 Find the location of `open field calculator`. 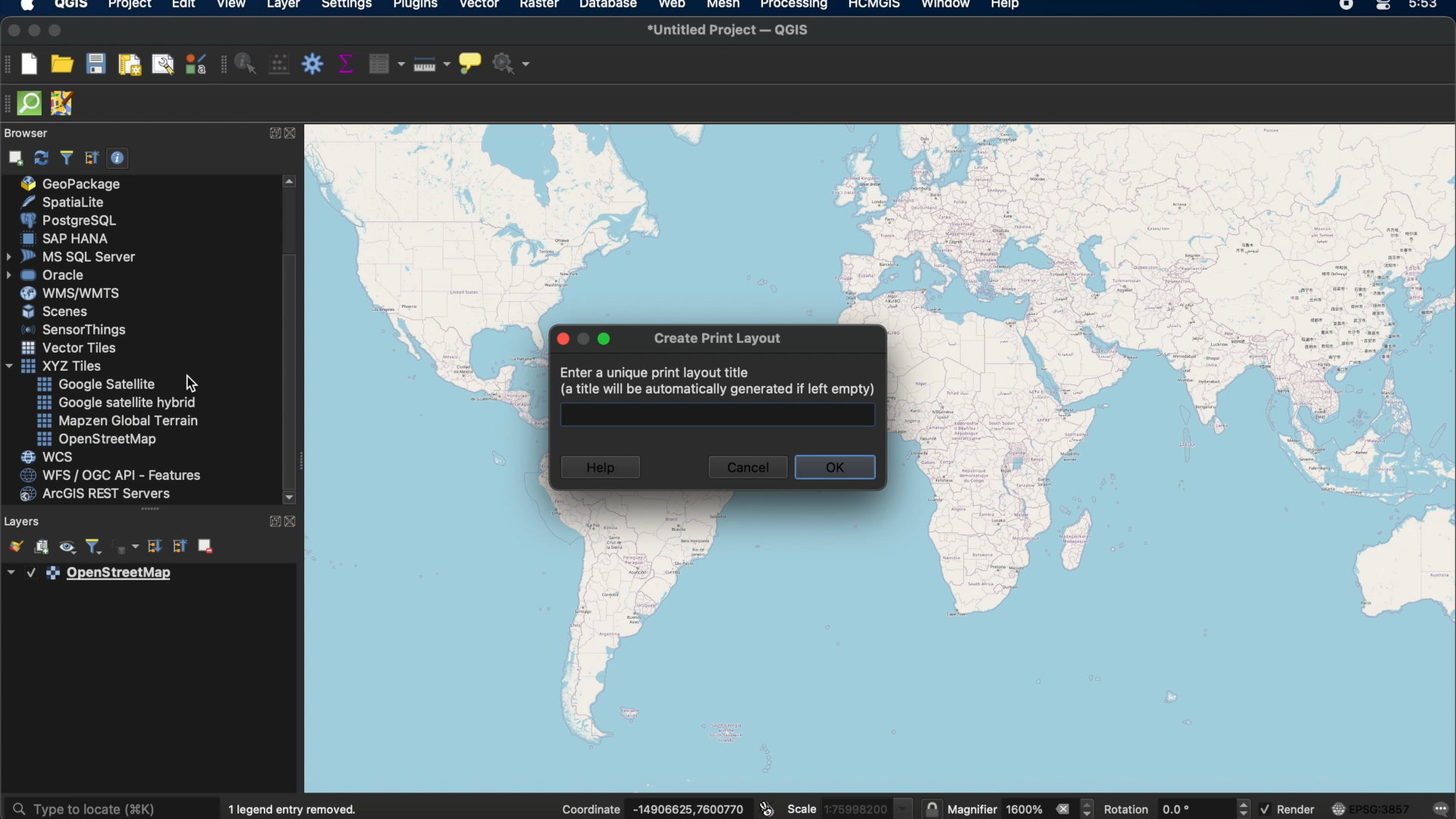

open field calculator is located at coordinates (277, 62).